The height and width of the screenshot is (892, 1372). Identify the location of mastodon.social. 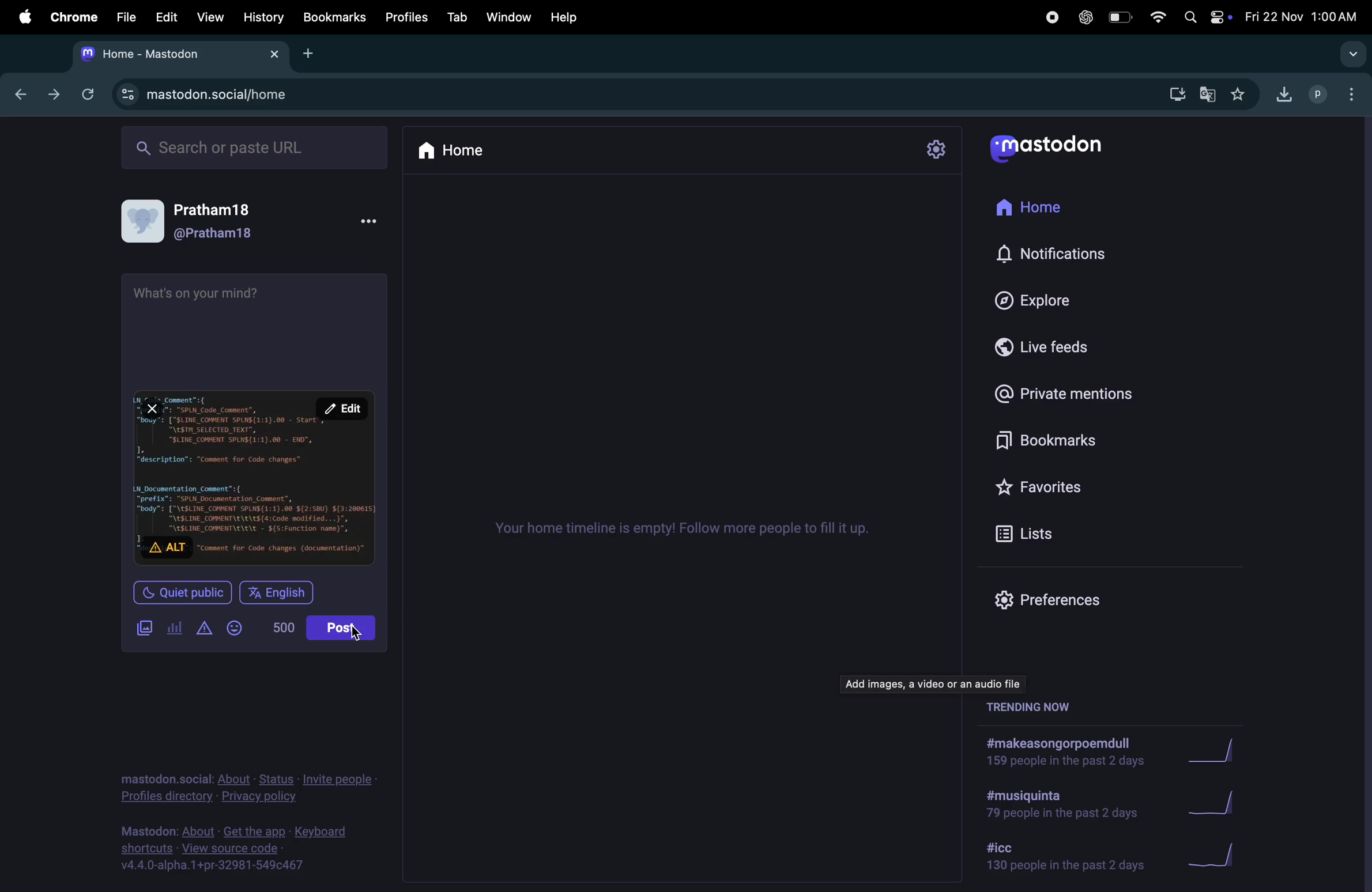
(165, 778).